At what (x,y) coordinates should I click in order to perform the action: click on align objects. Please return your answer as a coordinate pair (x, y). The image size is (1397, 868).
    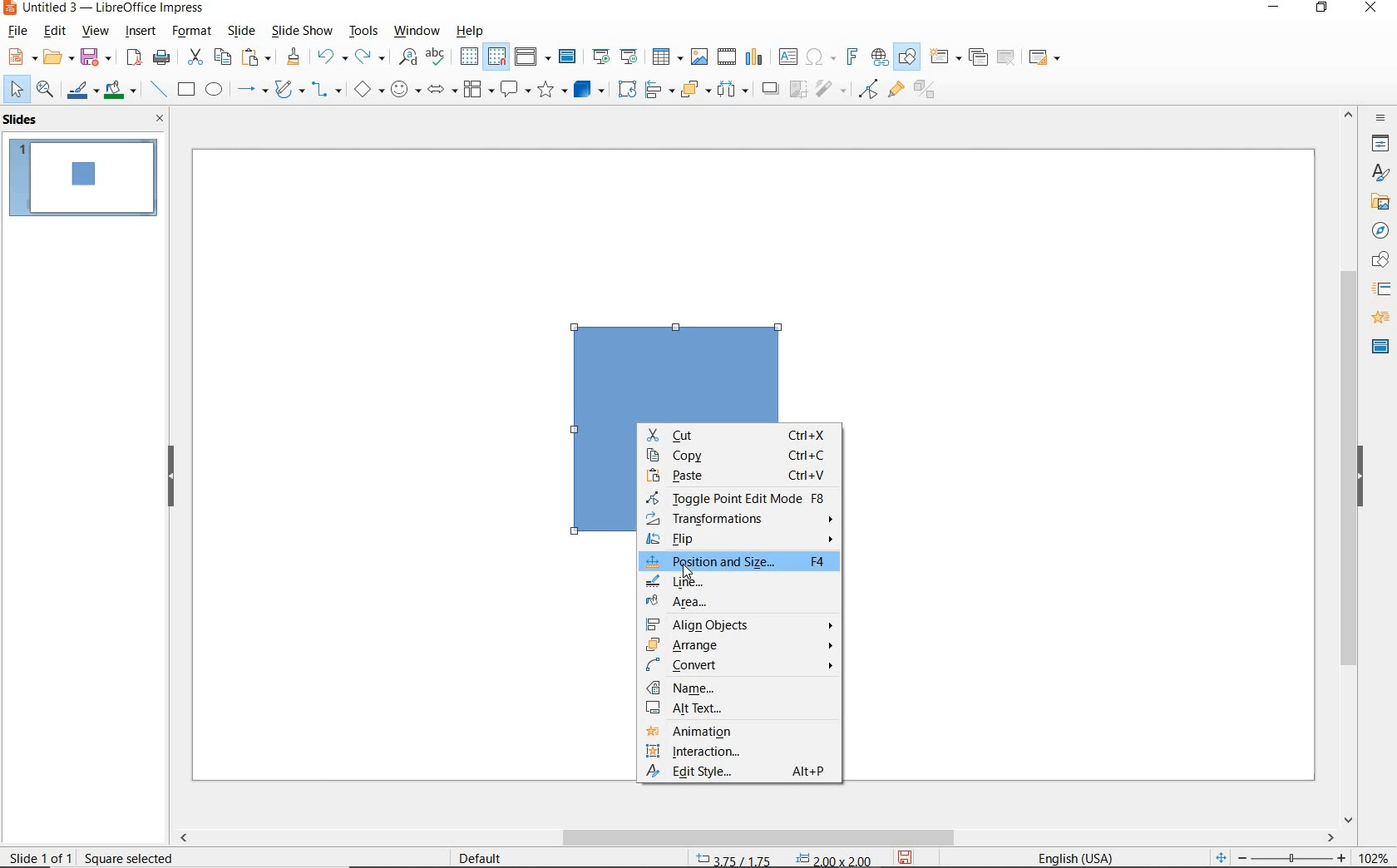
    Looking at the image, I should click on (659, 91).